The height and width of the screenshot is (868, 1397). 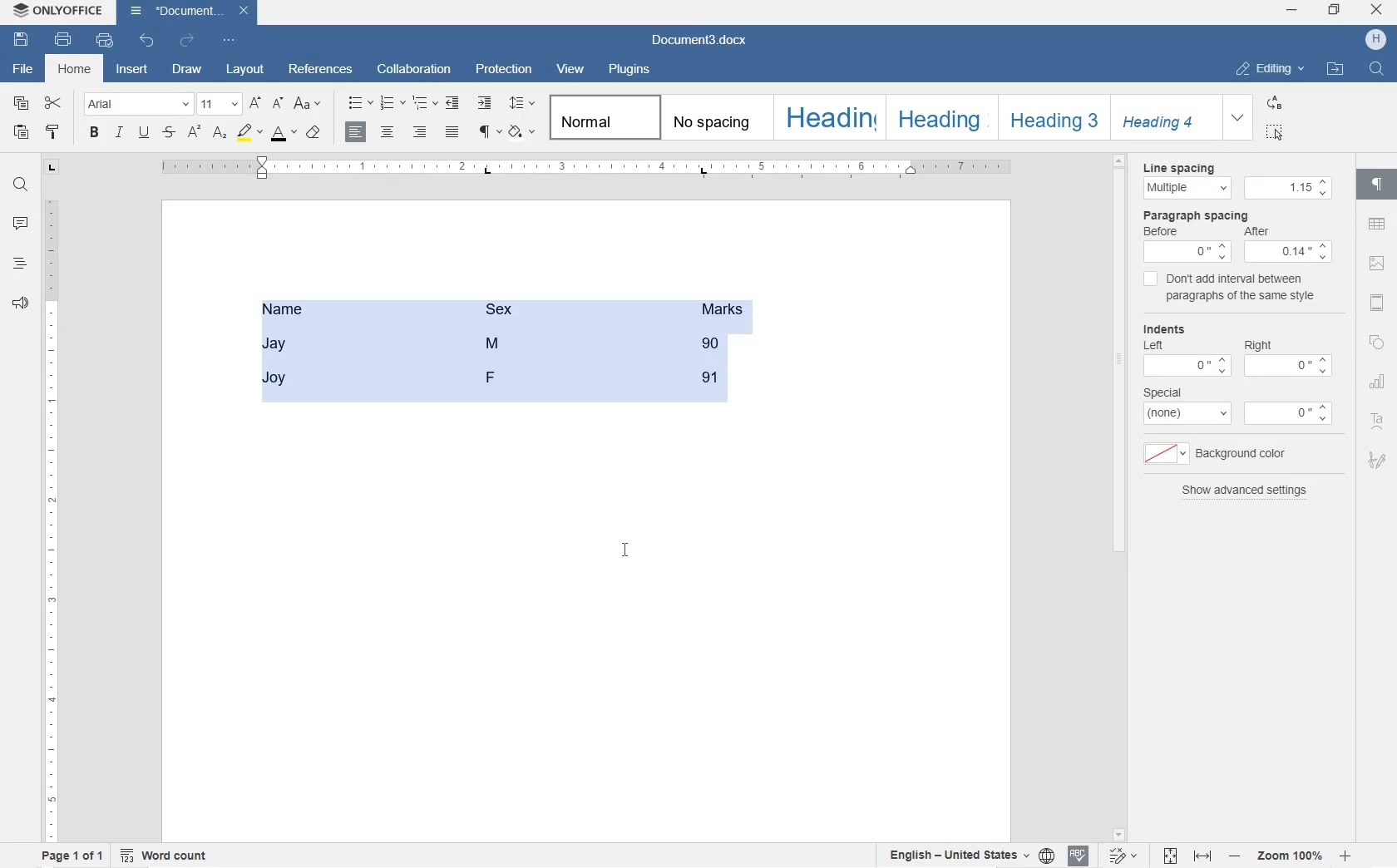 What do you see at coordinates (1378, 343) in the screenshot?
I see `SHAPE` at bounding box center [1378, 343].